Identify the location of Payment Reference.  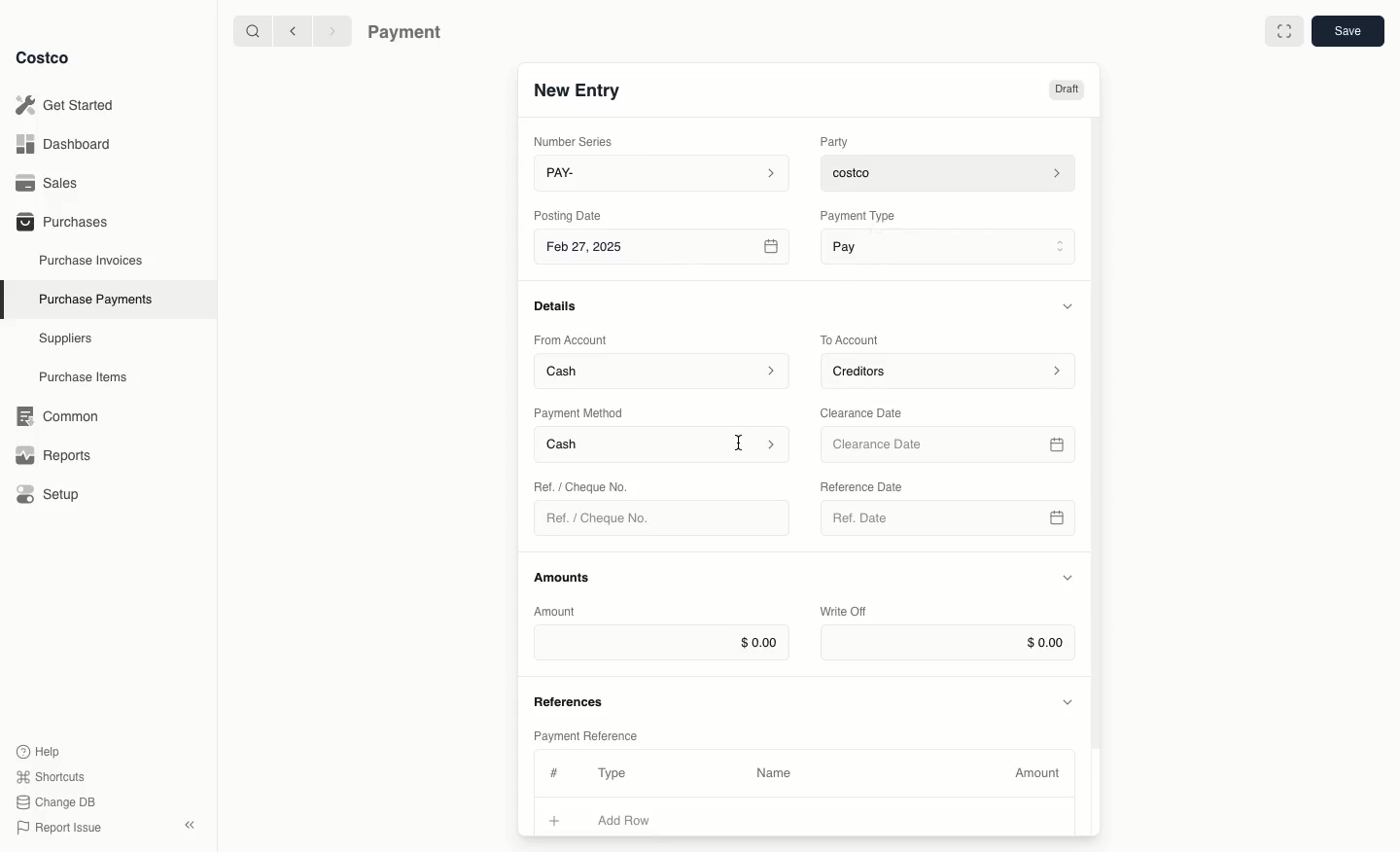
(584, 733).